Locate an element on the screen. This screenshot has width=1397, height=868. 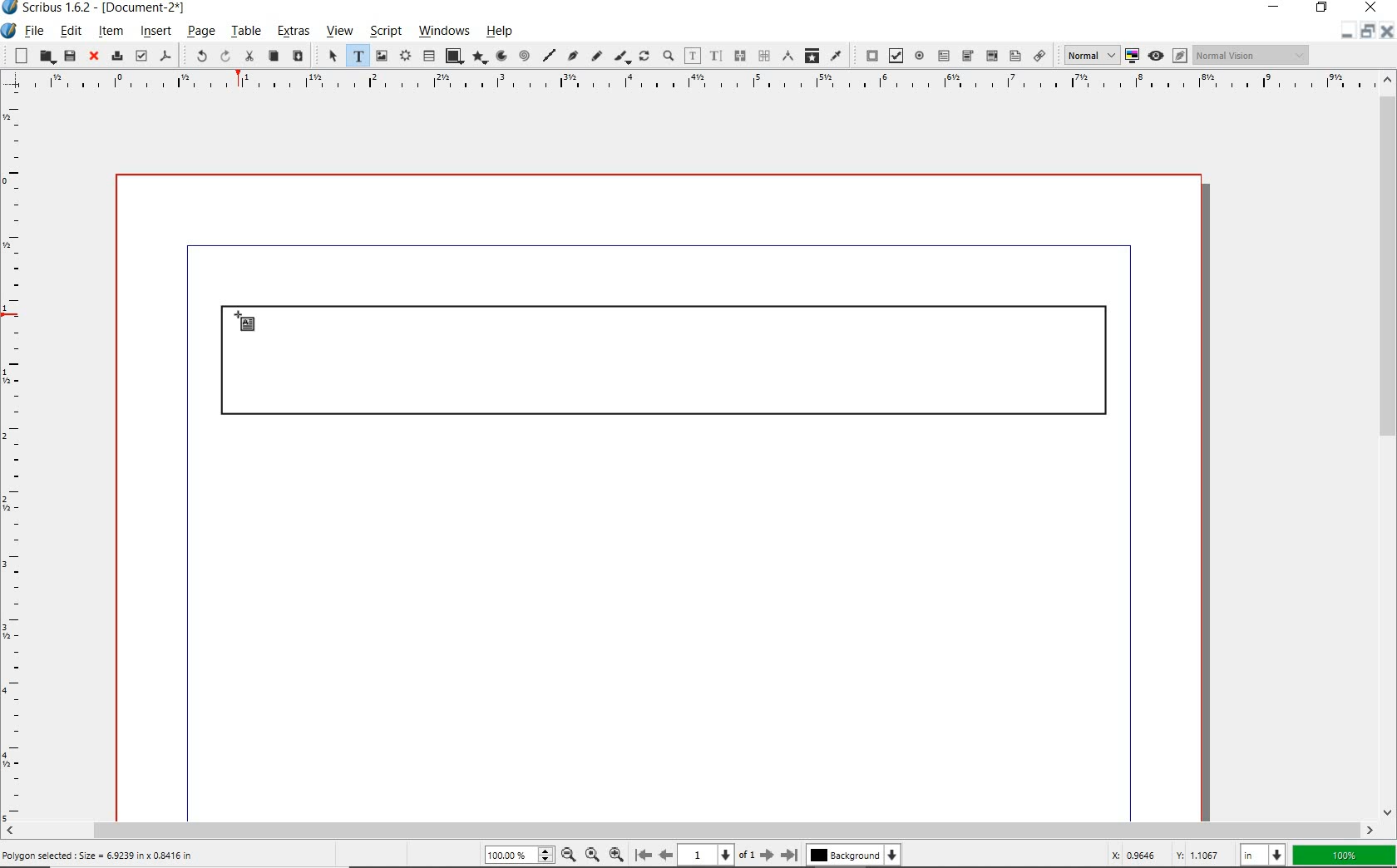
render frame is located at coordinates (404, 57).